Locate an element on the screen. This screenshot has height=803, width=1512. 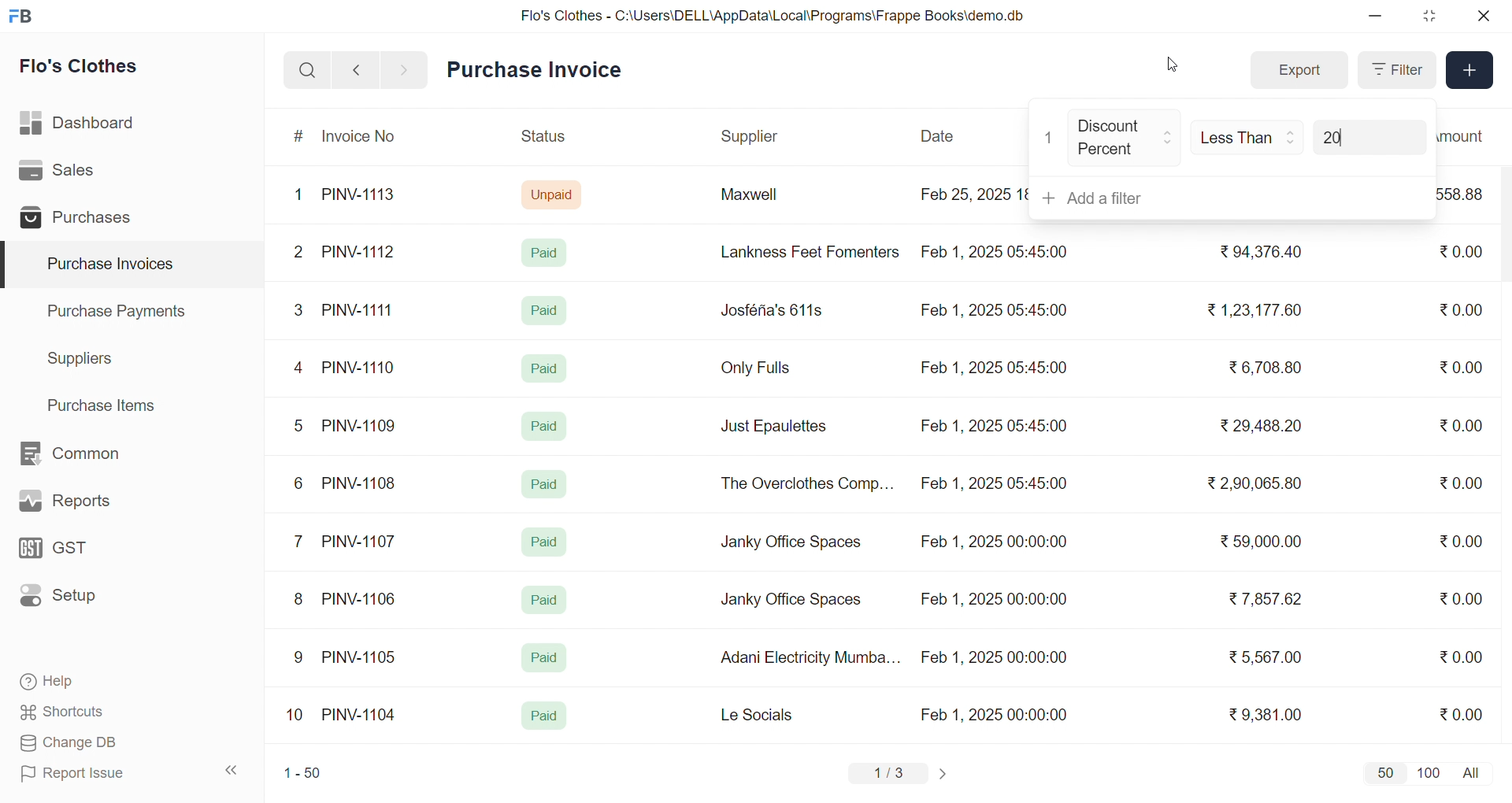
PINV-1113 is located at coordinates (365, 196).